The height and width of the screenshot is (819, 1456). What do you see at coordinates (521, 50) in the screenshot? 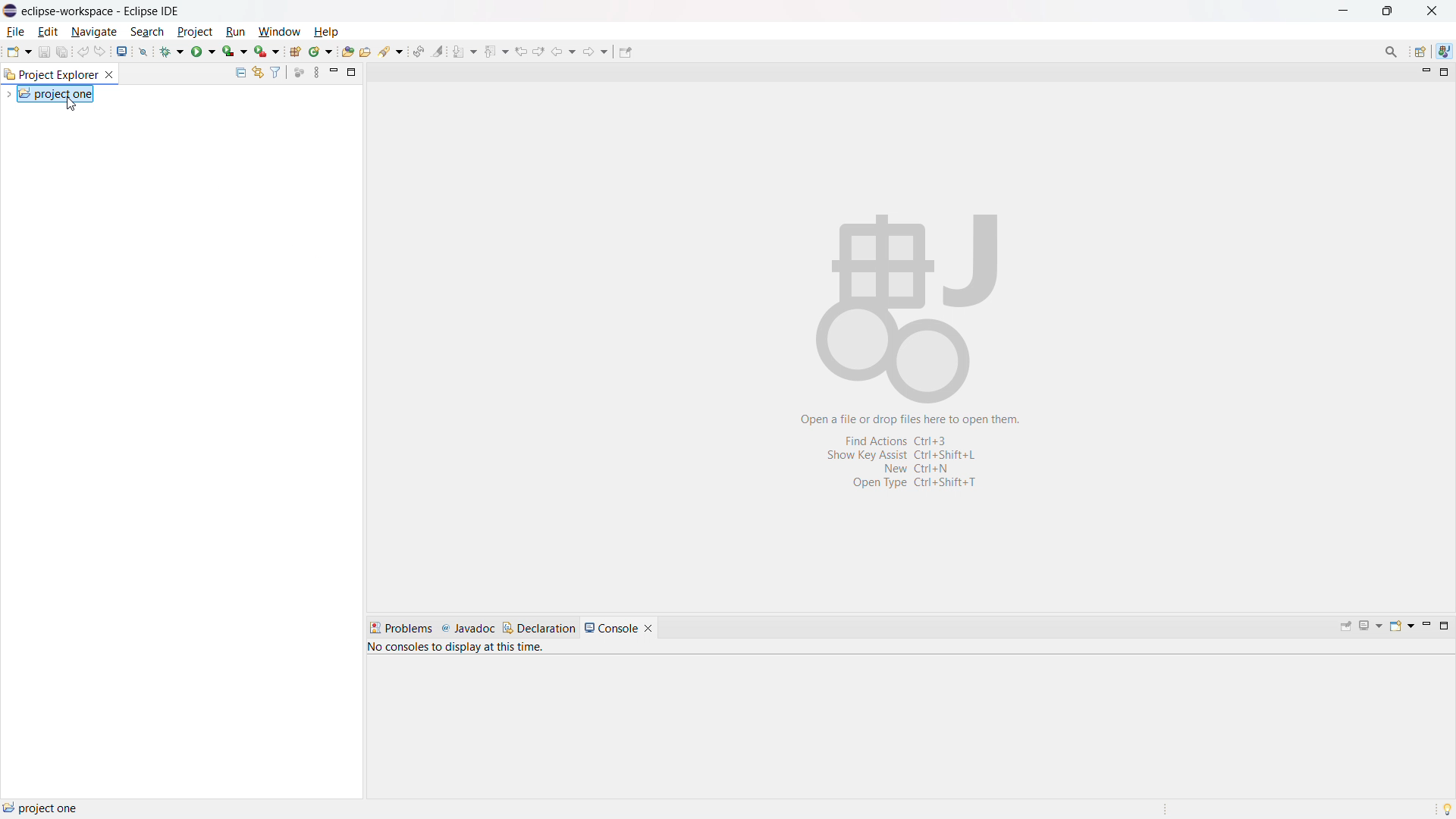
I see `view previous location` at bounding box center [521, 50].